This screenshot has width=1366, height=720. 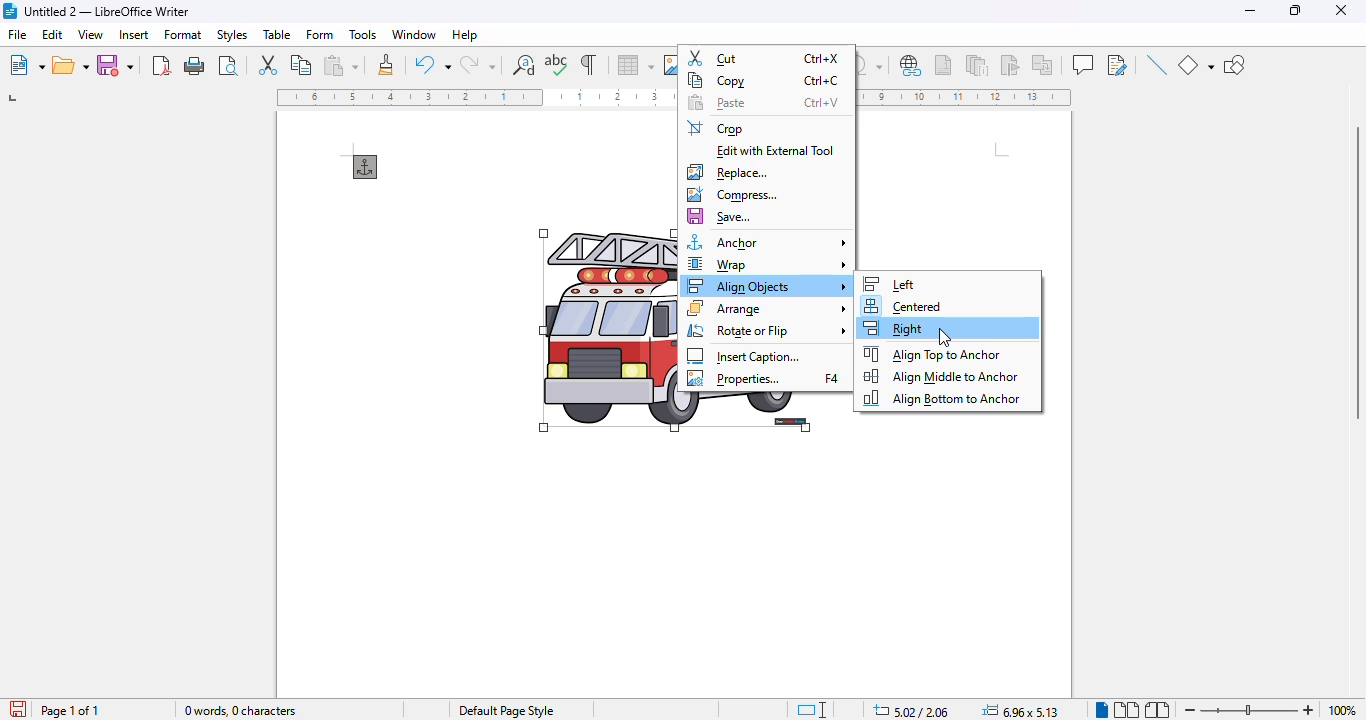 I want to click on ruler, so click(x=475, y=97).